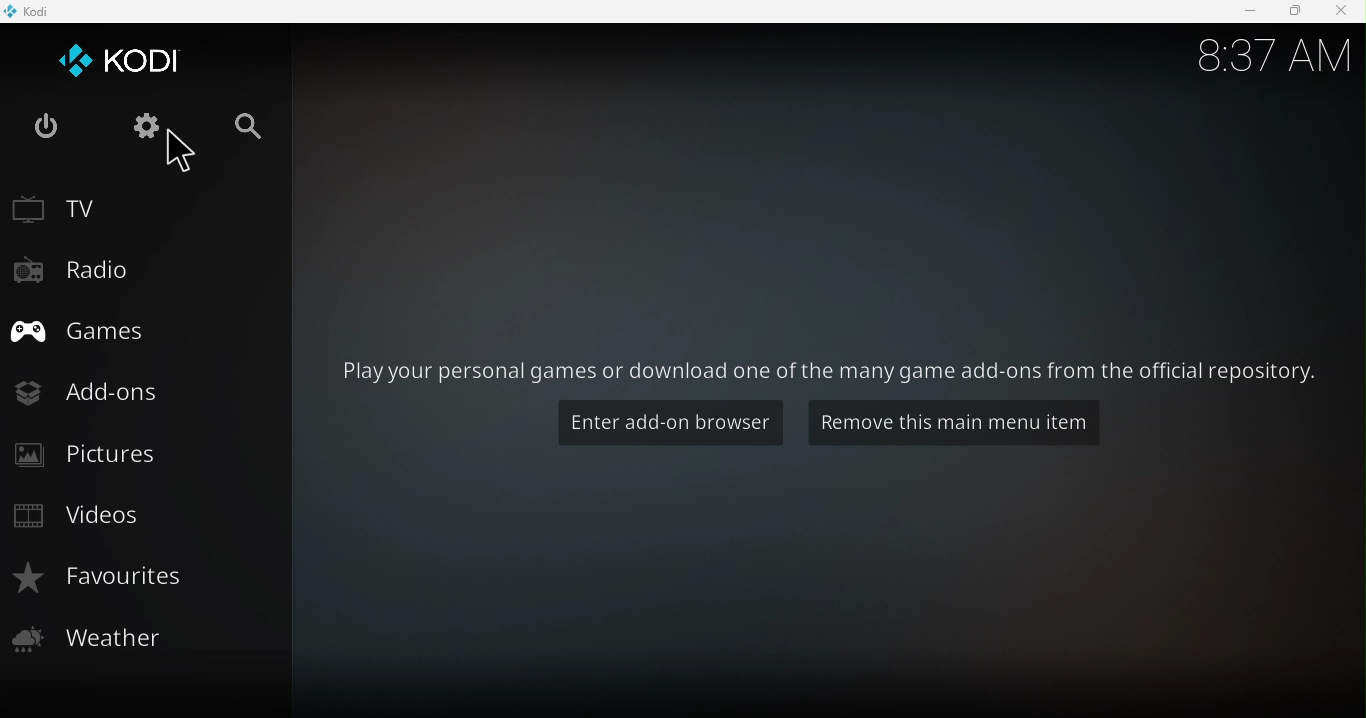 The width and height of the screenshot is (1366, 718). What do you see at coordinates (151, 126) in the screenshot?
I see `Settings` at bounding box center [151, 126].